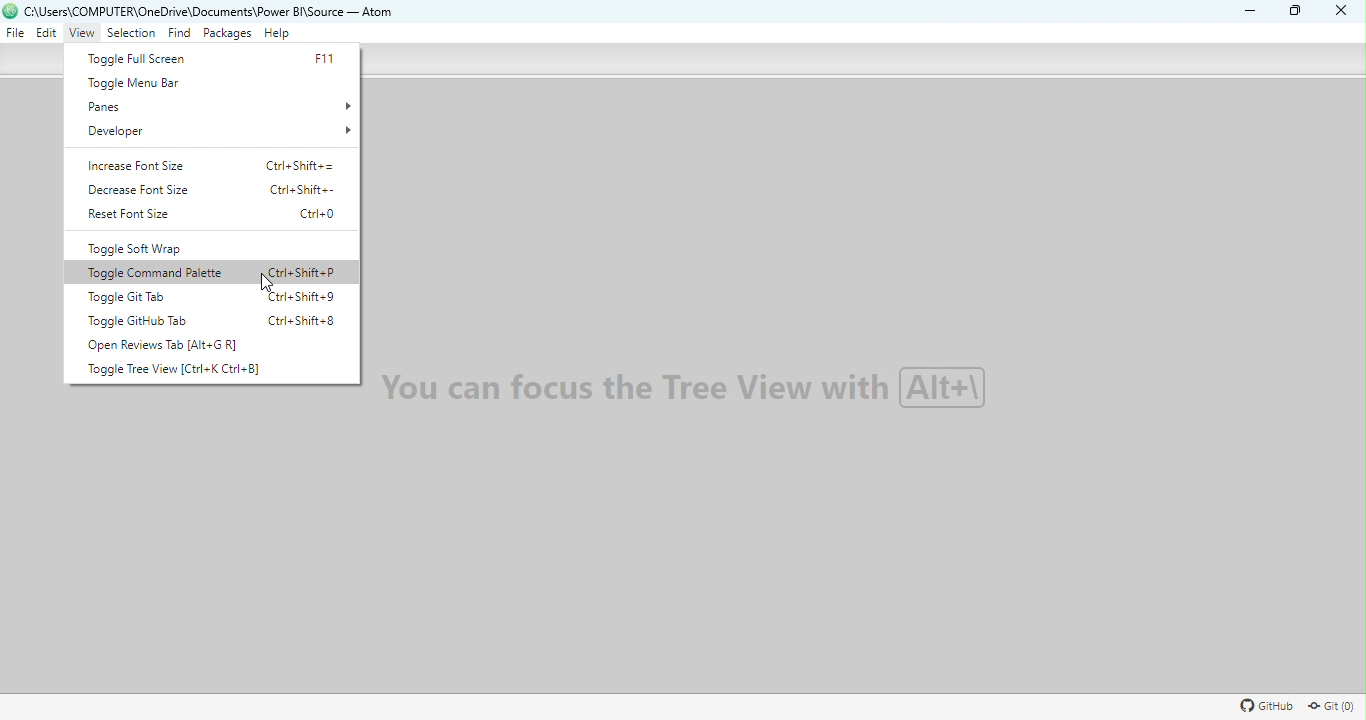 This screenshot has width=1366, height=720. What do you see at coordinates (213, 298) in the screenshot?
I see `Toggle git tab` at bounding box center [213, 298].